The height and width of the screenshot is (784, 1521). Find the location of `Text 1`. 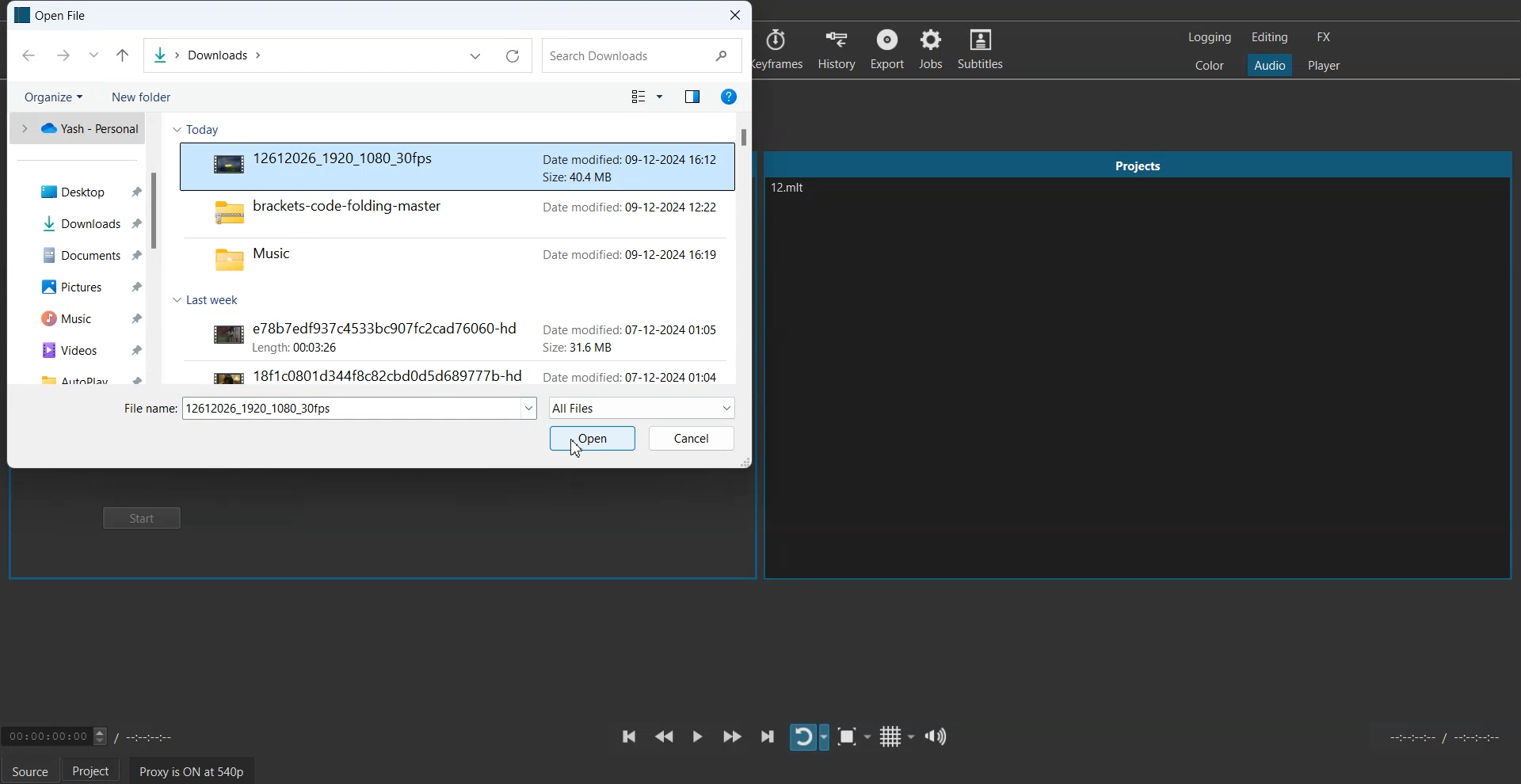

Text 1 is located at coordinates (51, 15).